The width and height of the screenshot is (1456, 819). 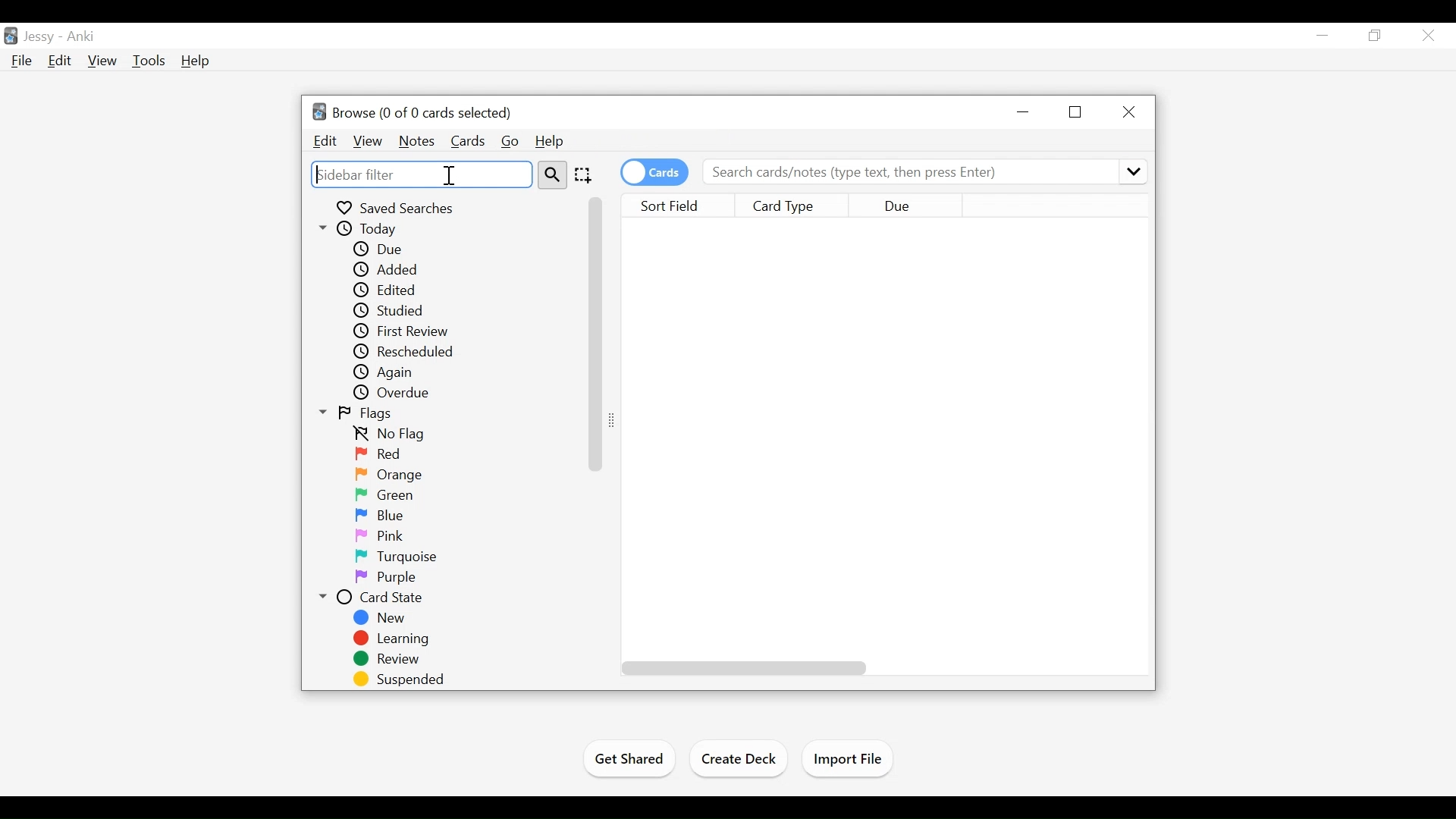 I want to click on Added, so click(x=392, y=270).